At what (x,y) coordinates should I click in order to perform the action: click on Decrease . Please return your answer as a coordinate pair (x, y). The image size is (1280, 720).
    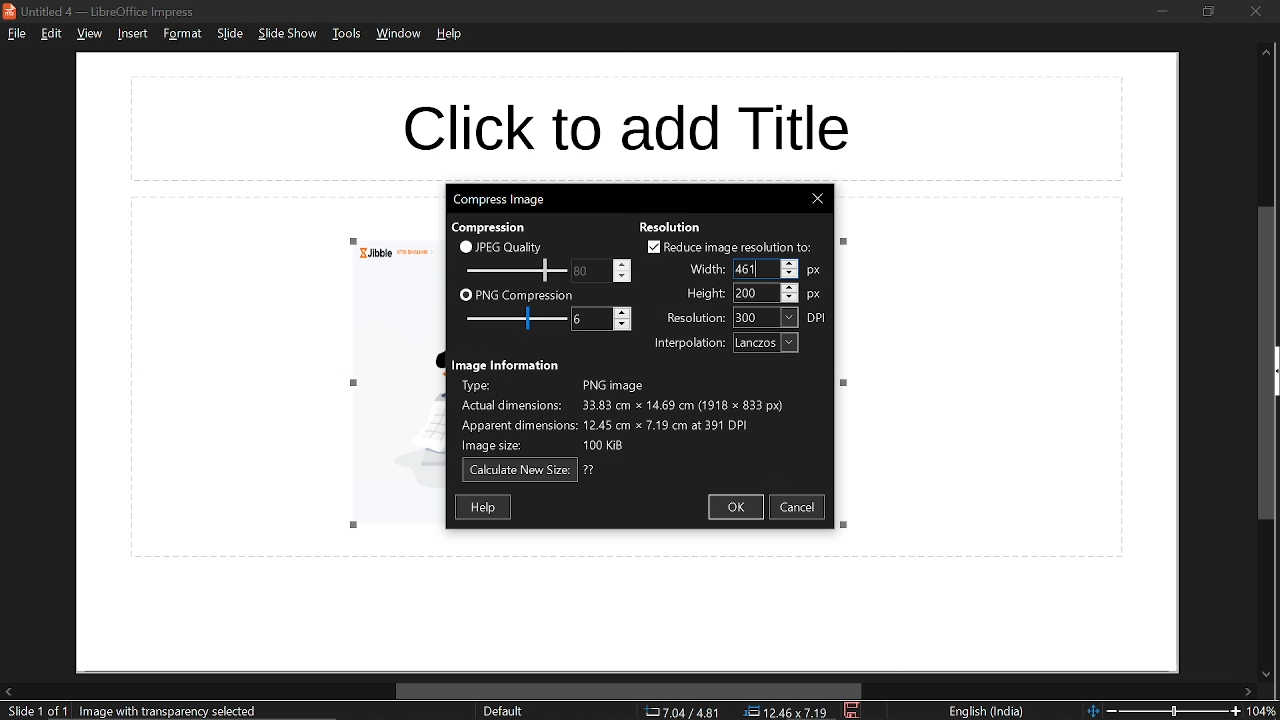
    Looking at the image, I should click on (623, 326).